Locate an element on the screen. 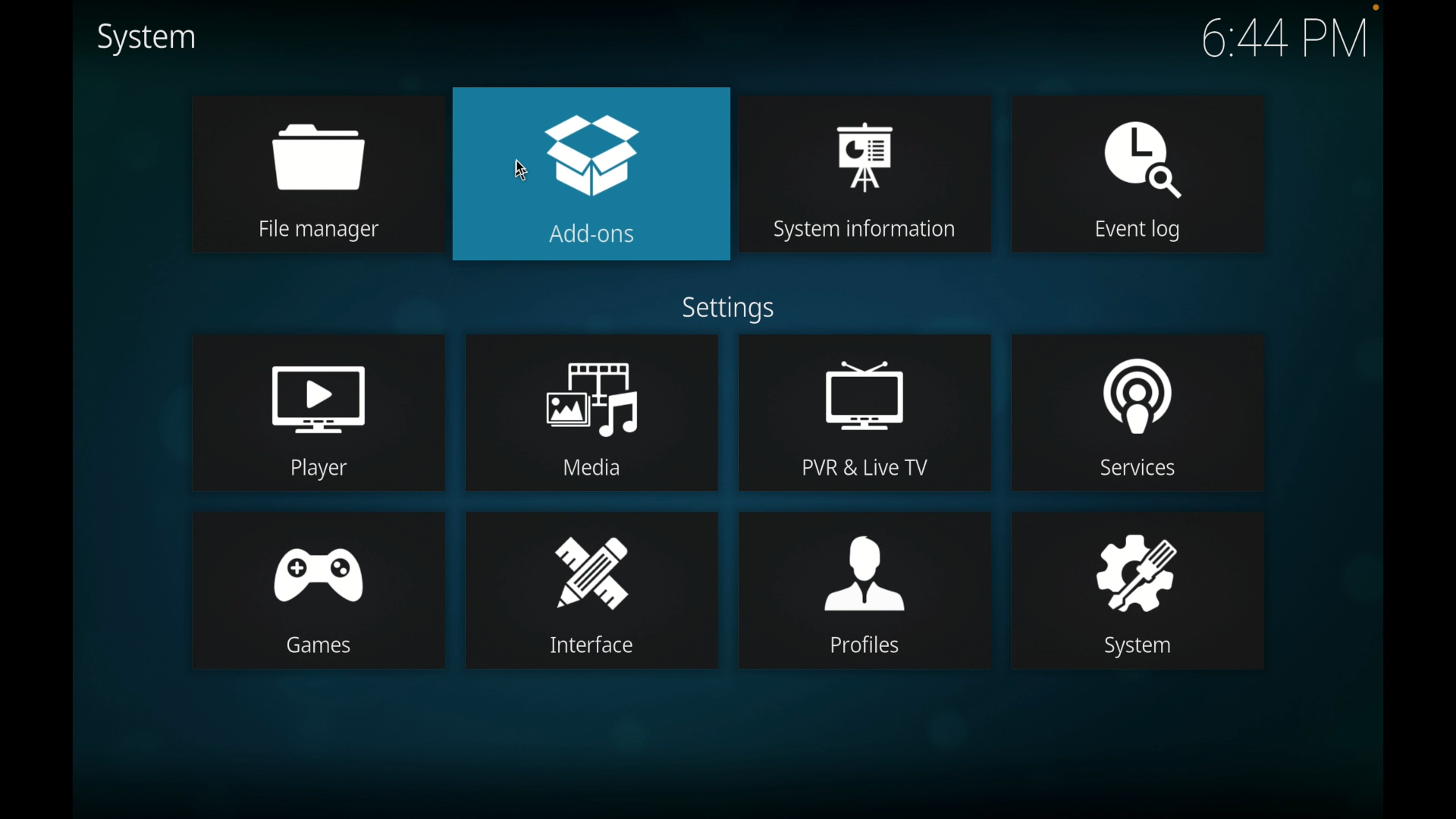 Image resolution: width=1456 pixels, height=819 pixels. event log is located at coordinates (1137, 174).